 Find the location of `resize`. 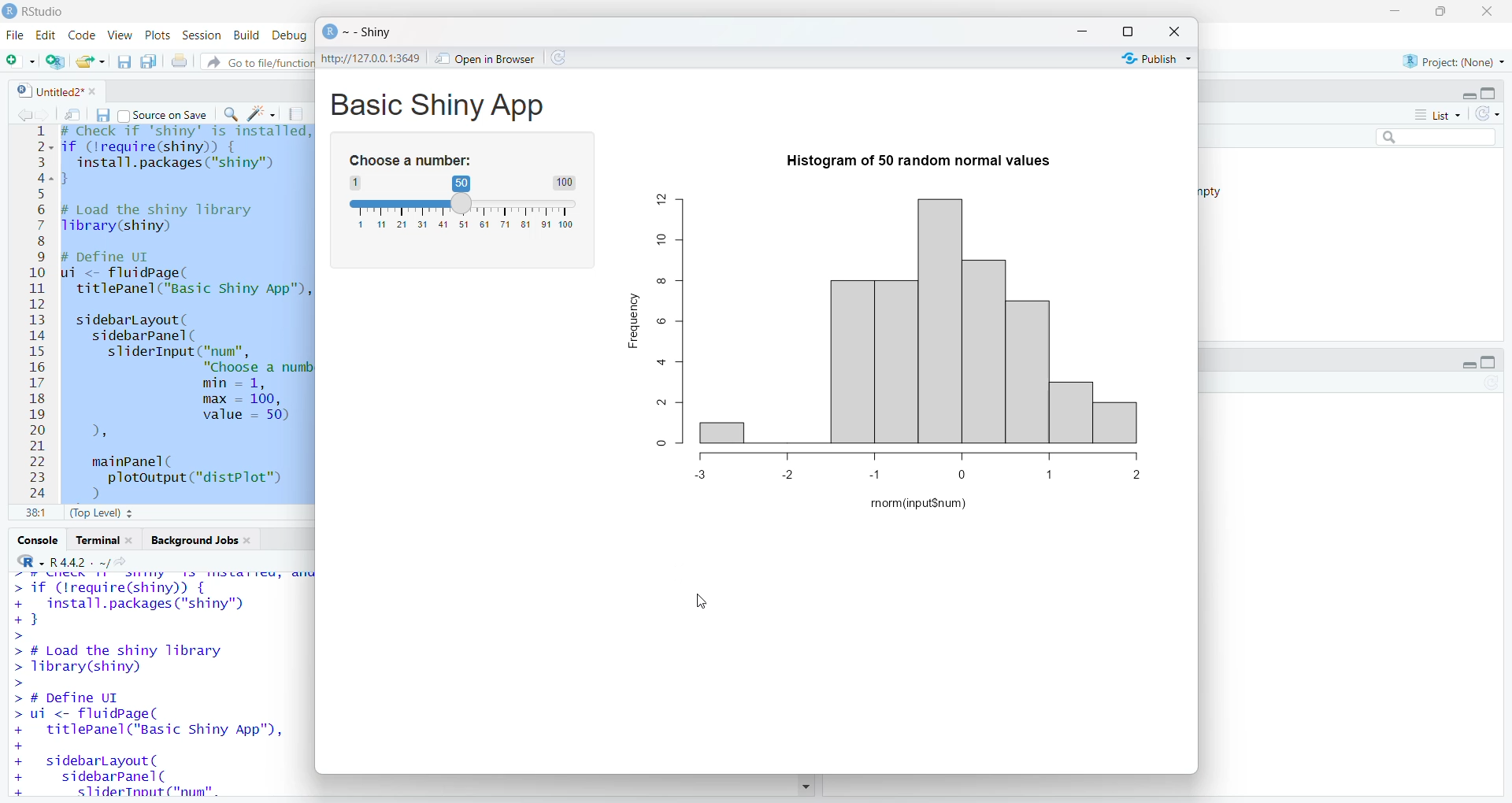

resize is located at coordinates (1128, 31).